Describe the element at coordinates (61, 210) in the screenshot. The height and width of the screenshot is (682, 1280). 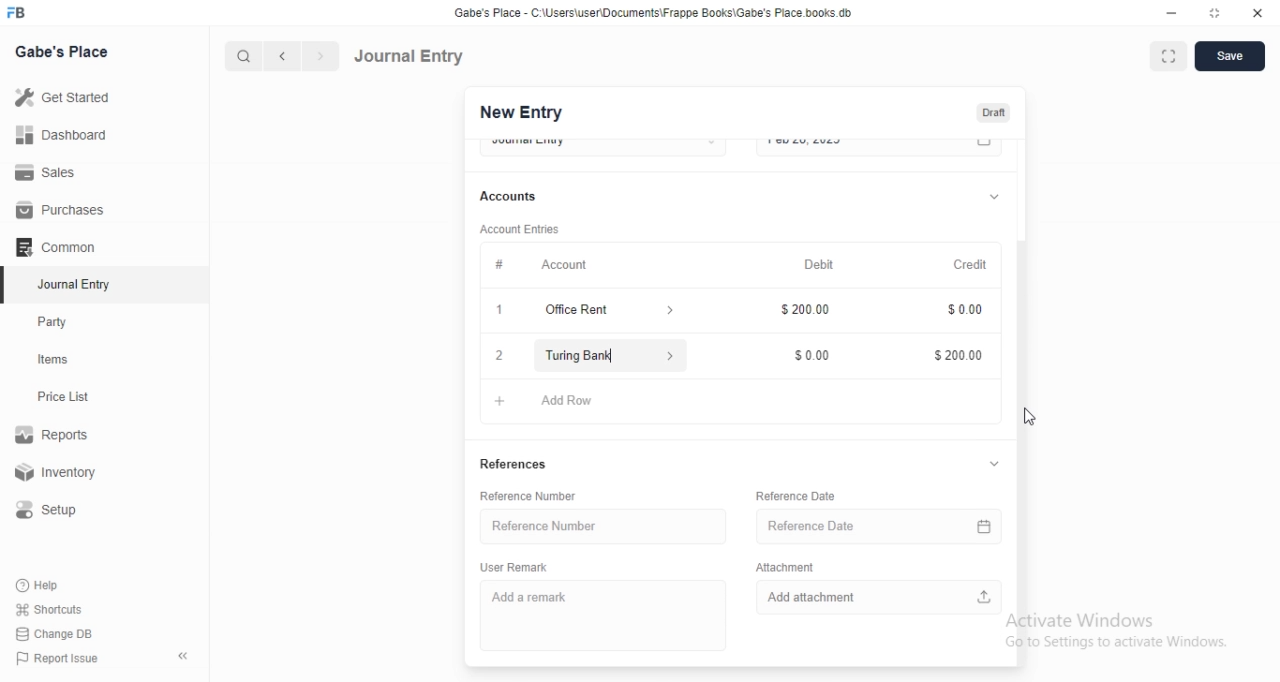
I see `Purchases` at that location.